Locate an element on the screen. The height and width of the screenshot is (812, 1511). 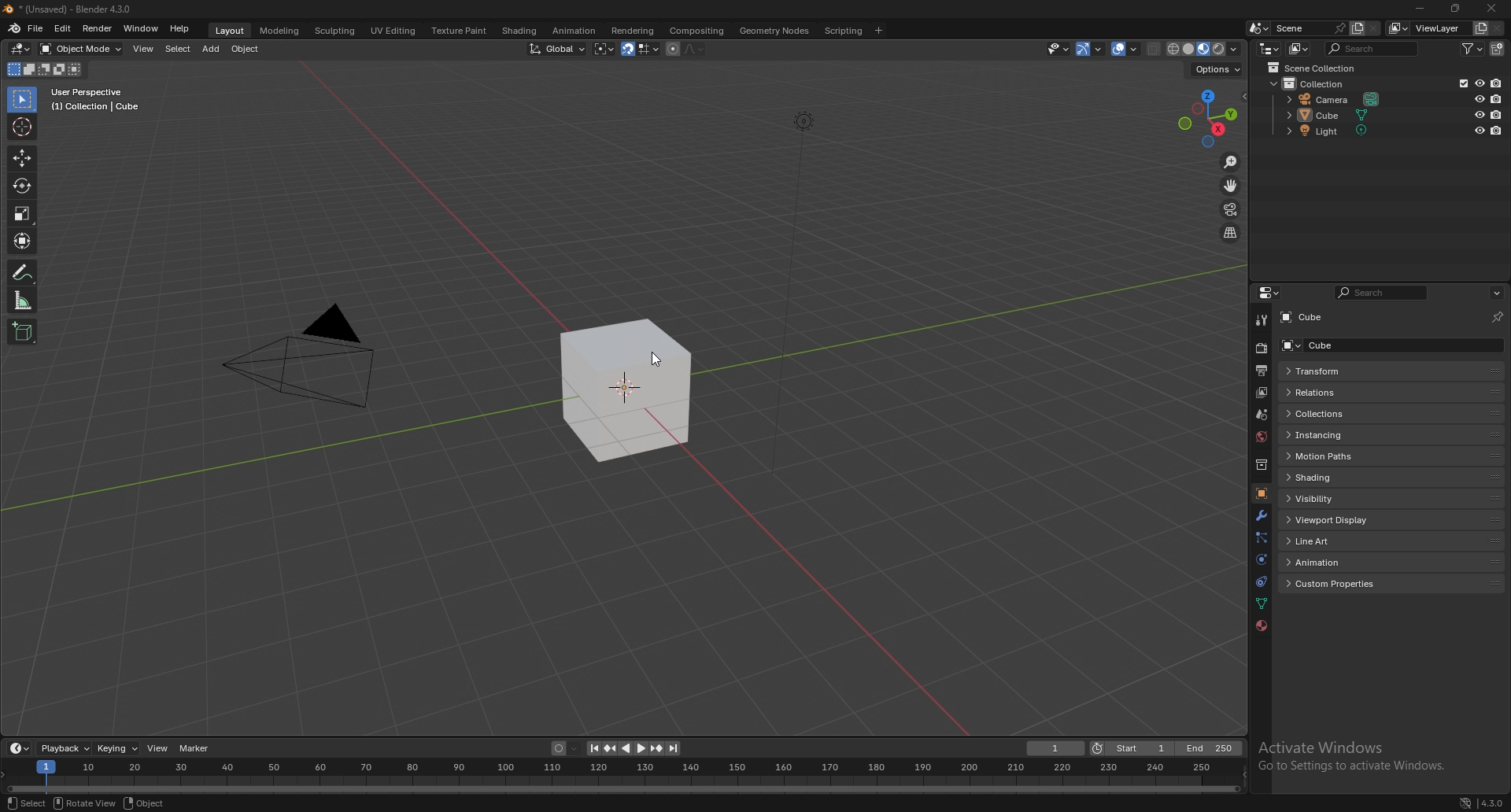
modeling is located at coordinates (279, 30).